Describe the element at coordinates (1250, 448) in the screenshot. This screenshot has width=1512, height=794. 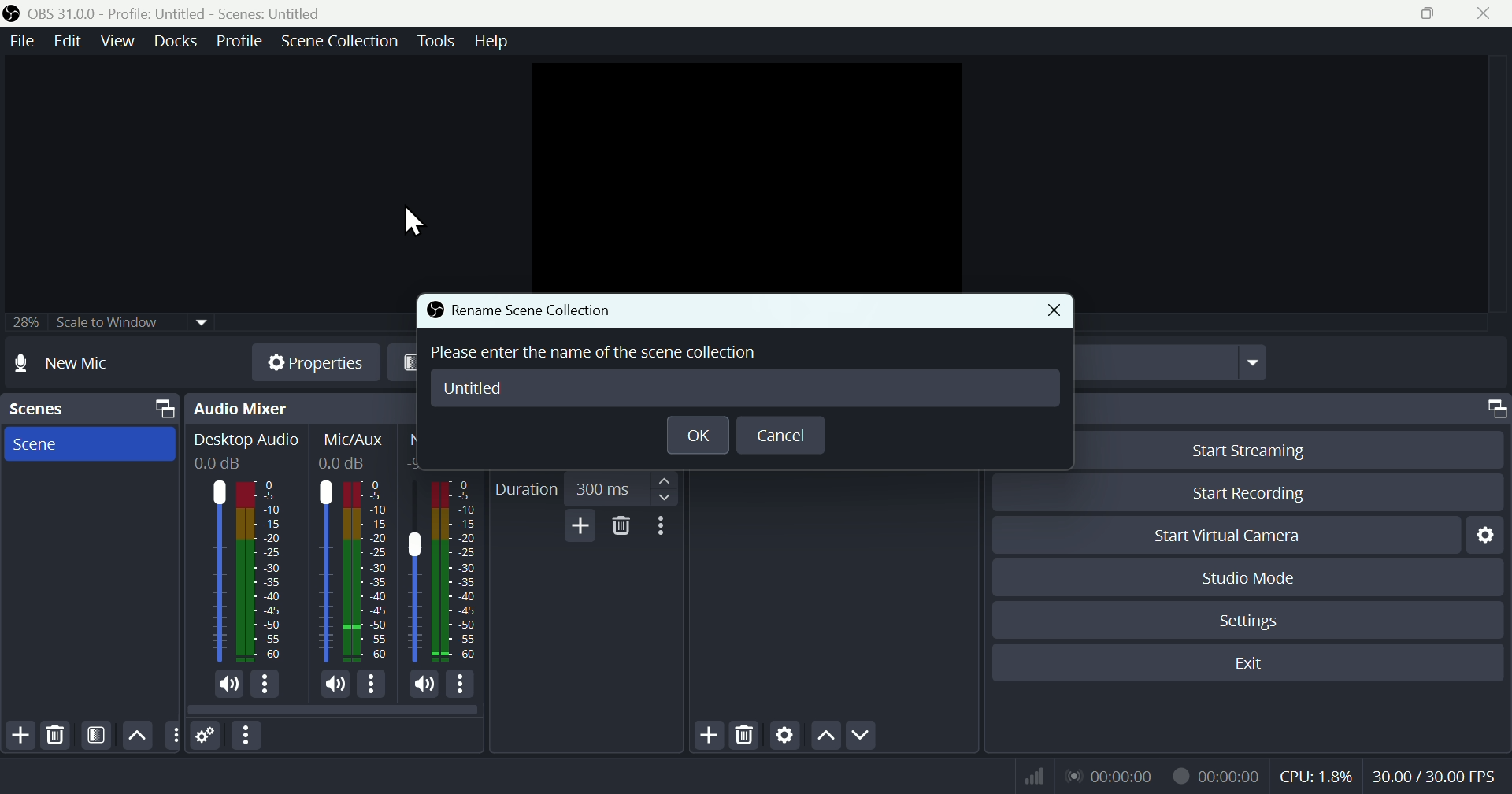
I see `Start streaming` at that location.